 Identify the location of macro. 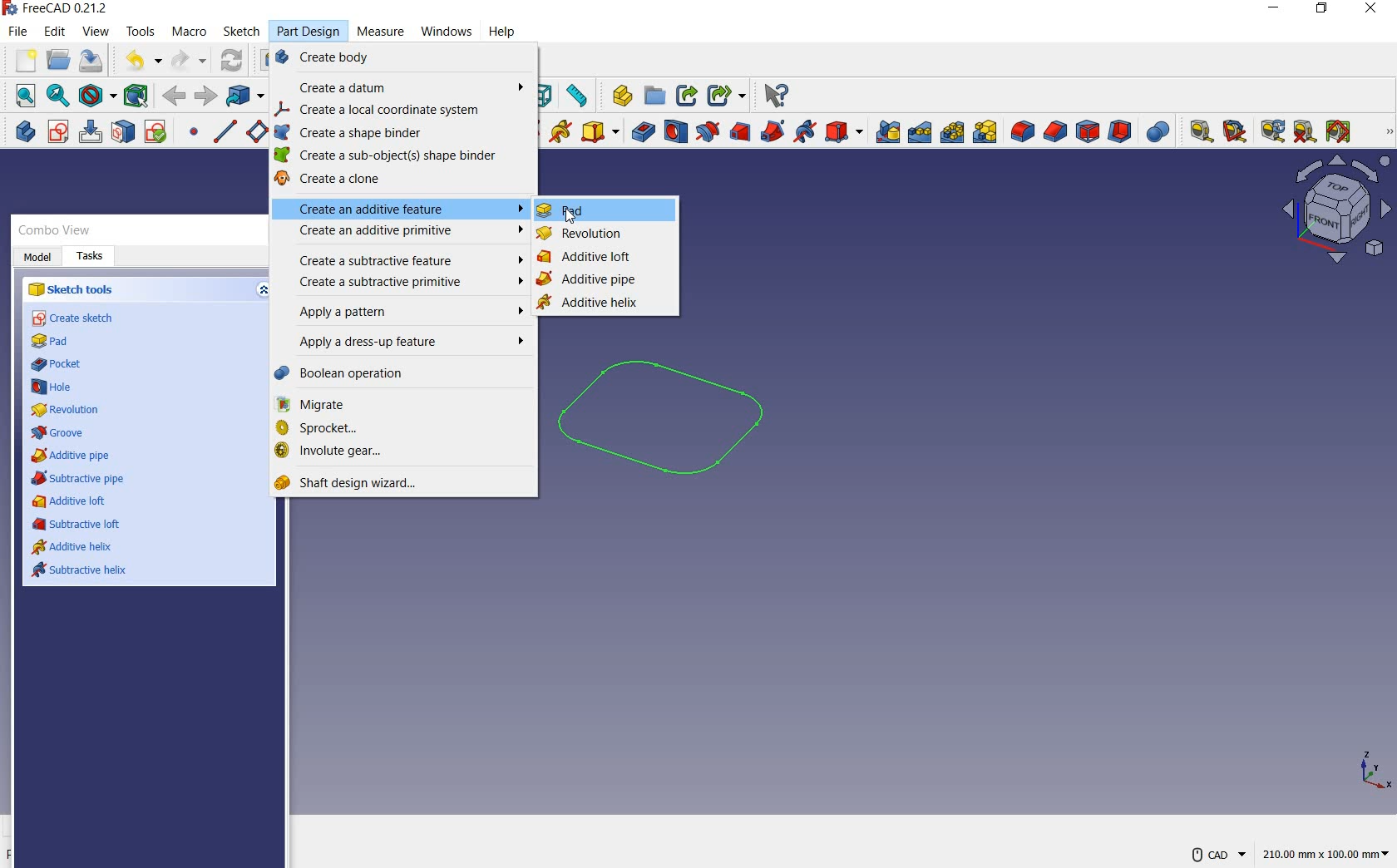
(190, 31).